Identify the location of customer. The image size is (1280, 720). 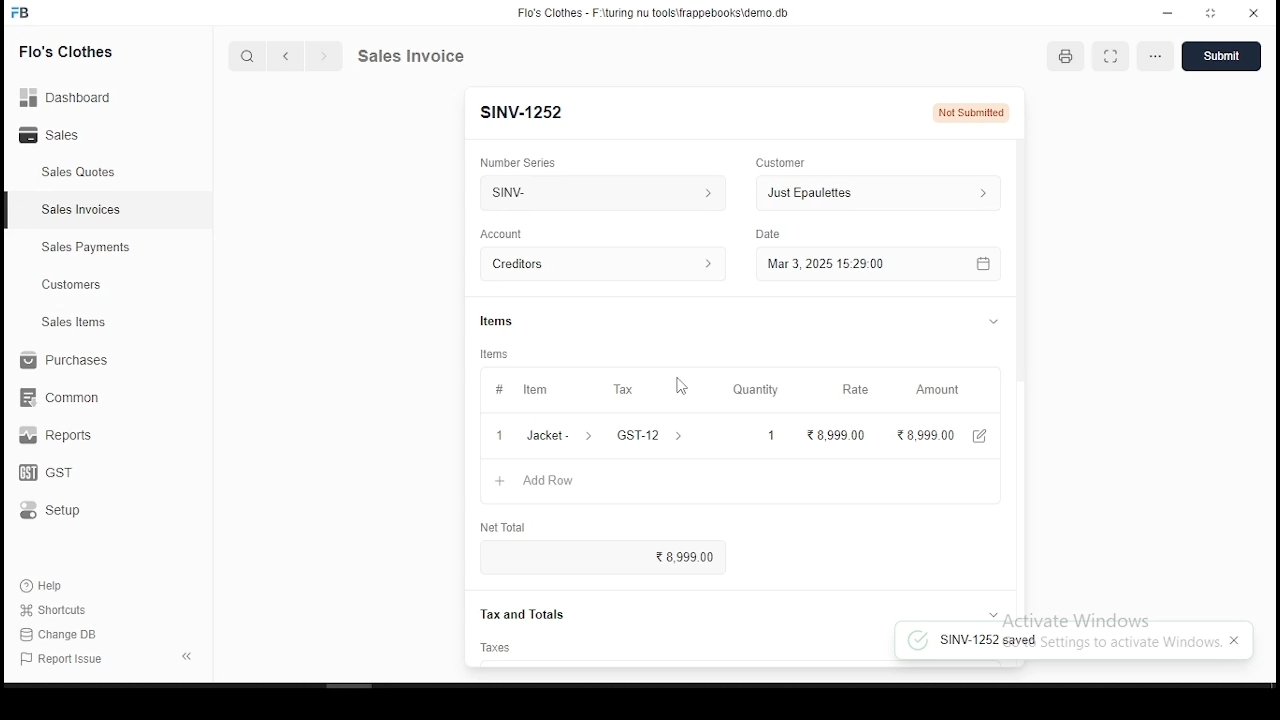
(787, 158).